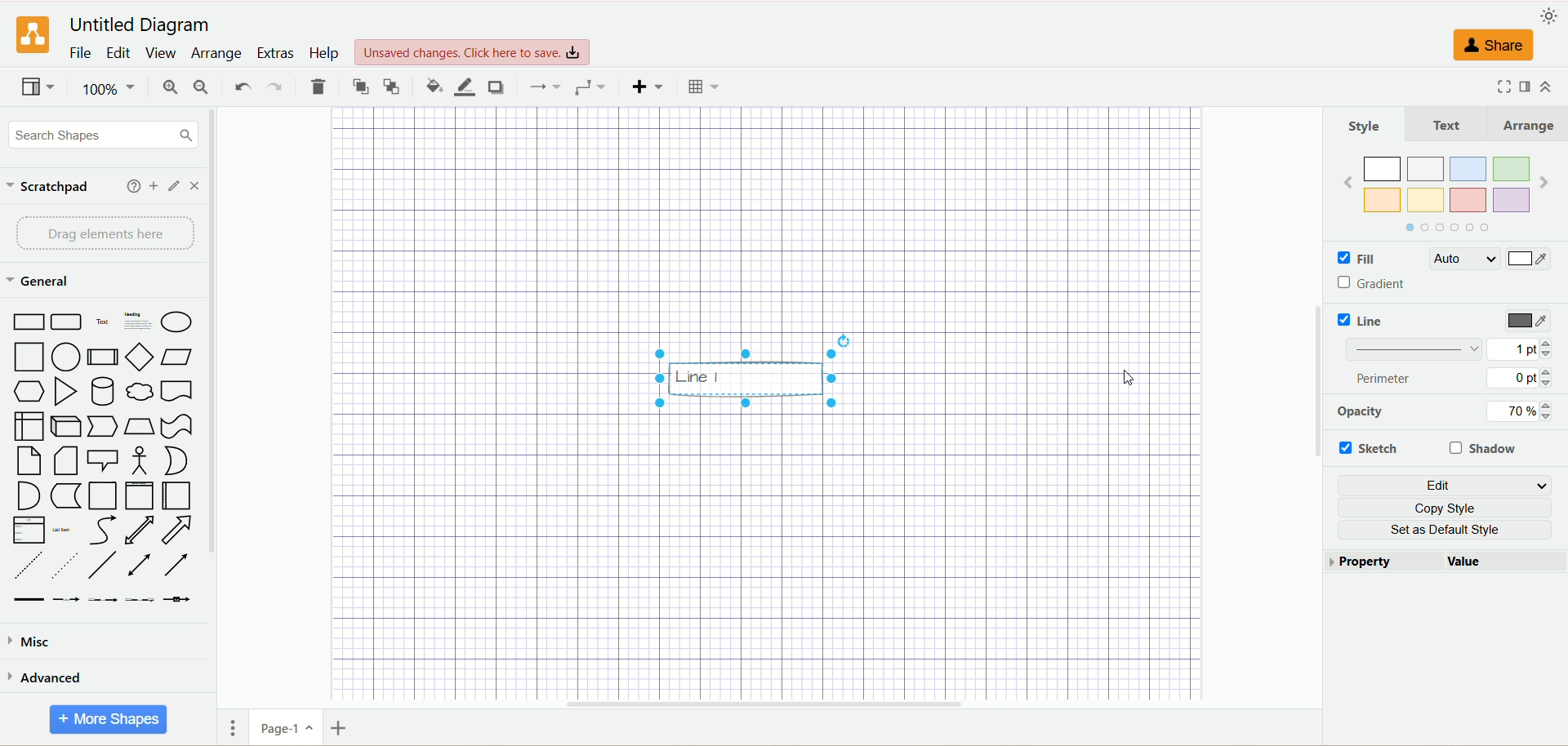  Describe the element at coordinates (29, 497) in the screenshot. I see `And` at that location.